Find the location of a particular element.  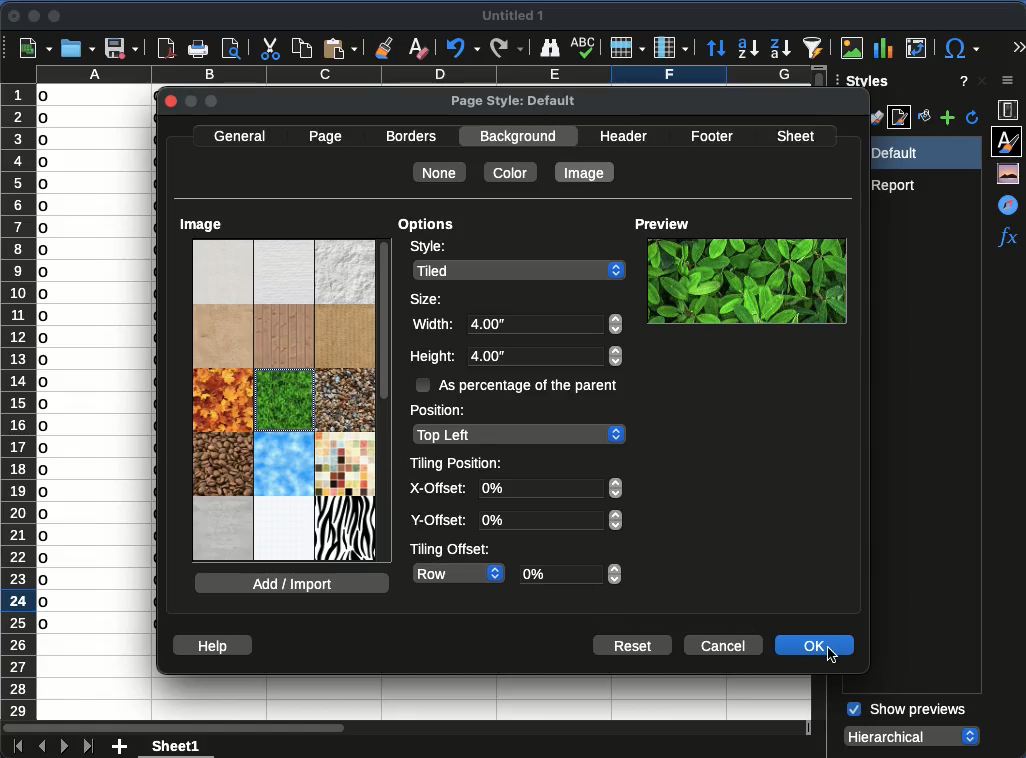

help is located at coordinates (961, 81).